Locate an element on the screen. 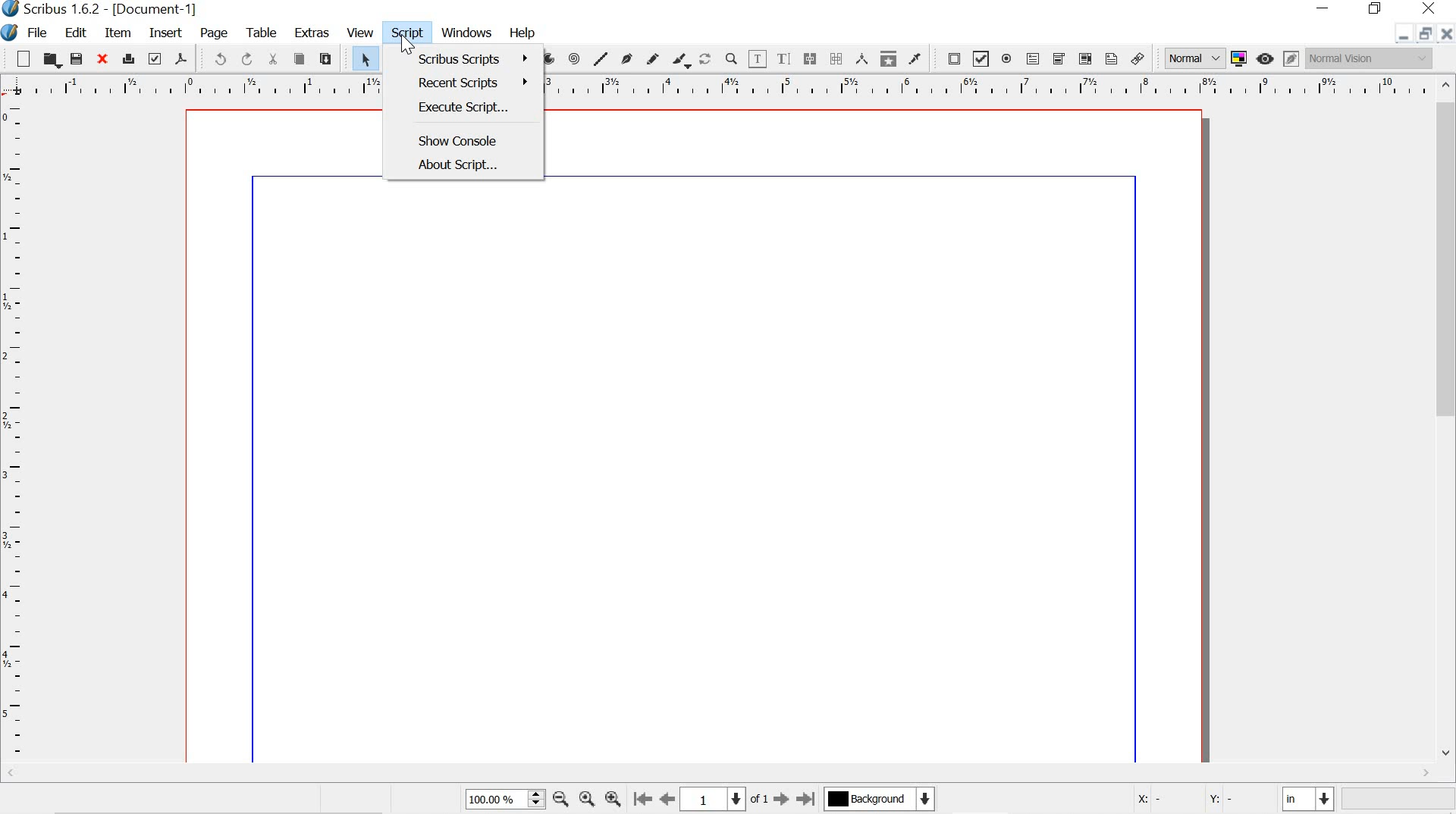 The width and height of the screenshot is (1456, 814). new is located at coordinates (18, 58).